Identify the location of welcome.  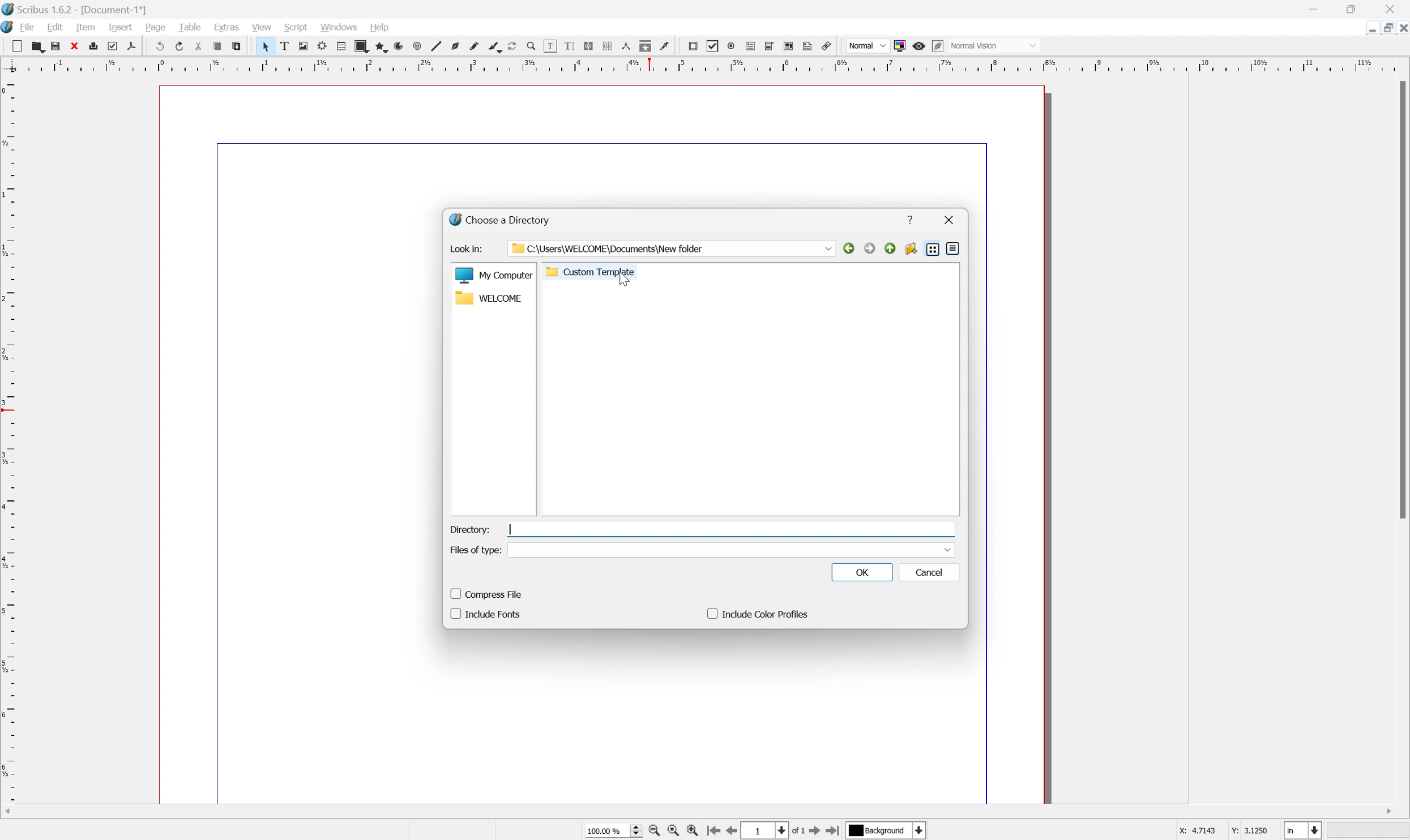
(488, 301).